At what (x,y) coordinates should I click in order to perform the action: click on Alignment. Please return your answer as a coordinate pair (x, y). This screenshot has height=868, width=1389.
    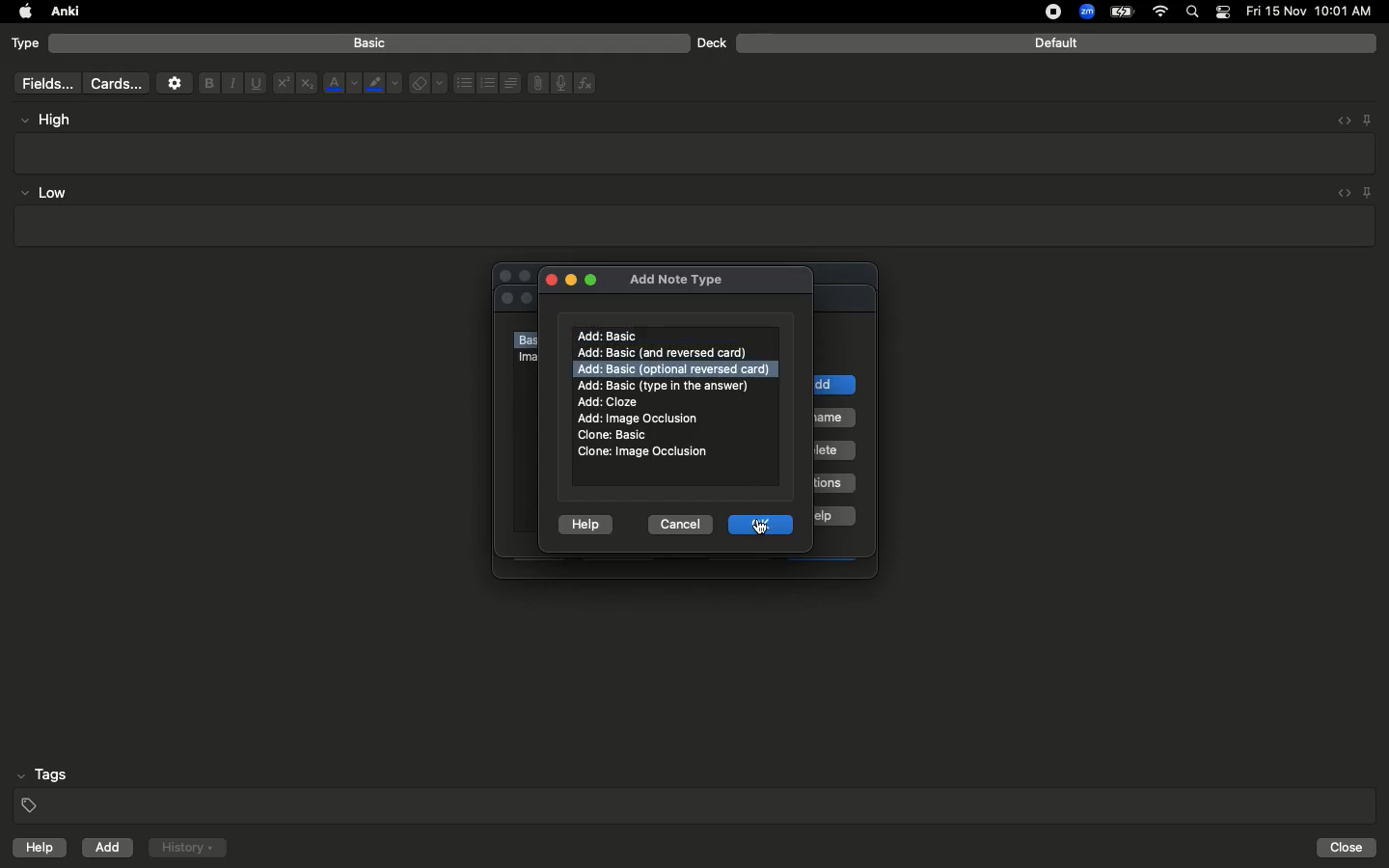
    Looking at the image, I should click on (508, 81).